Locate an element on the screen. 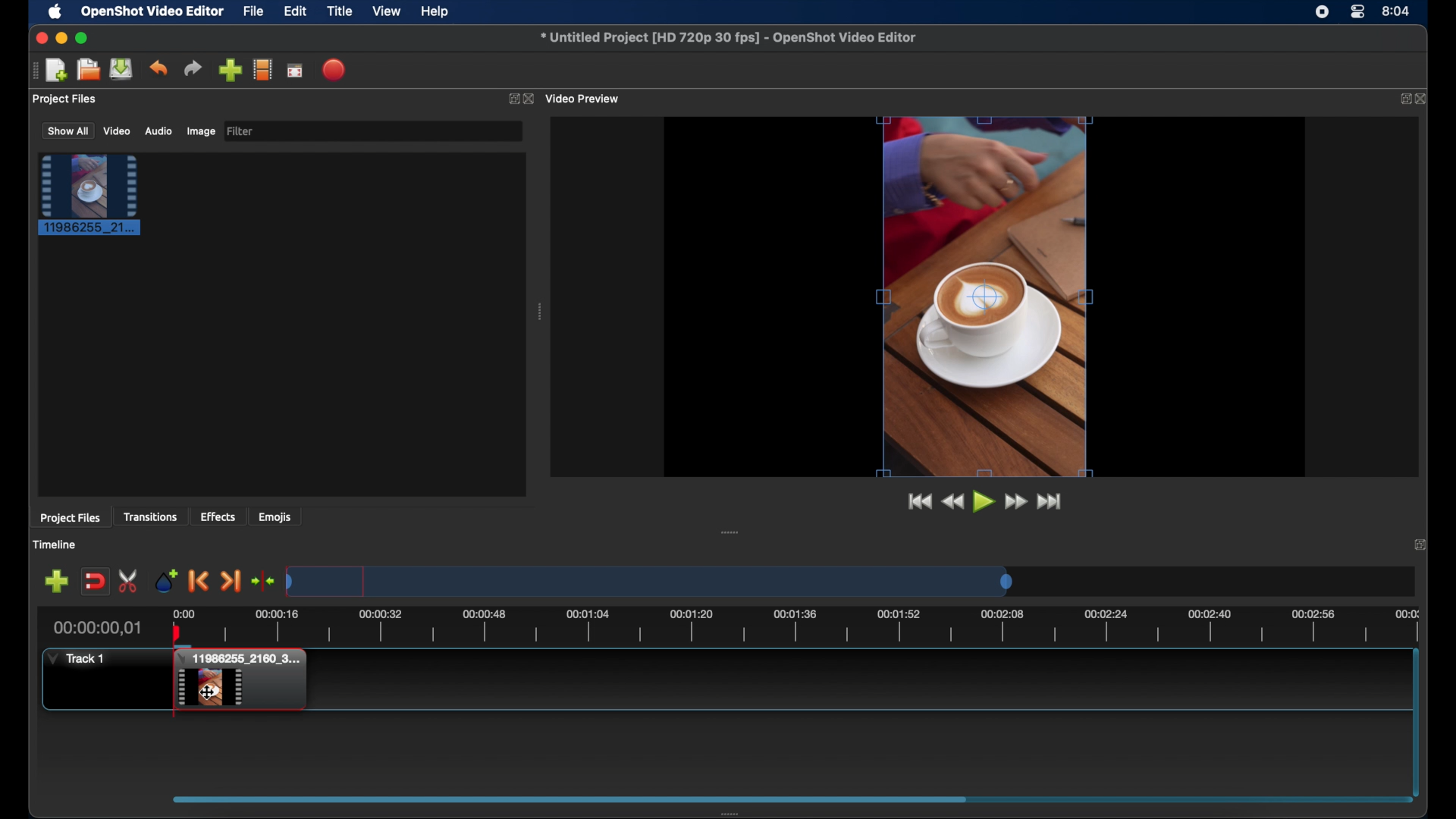  current time indicator is located at coordinates (98, 628).